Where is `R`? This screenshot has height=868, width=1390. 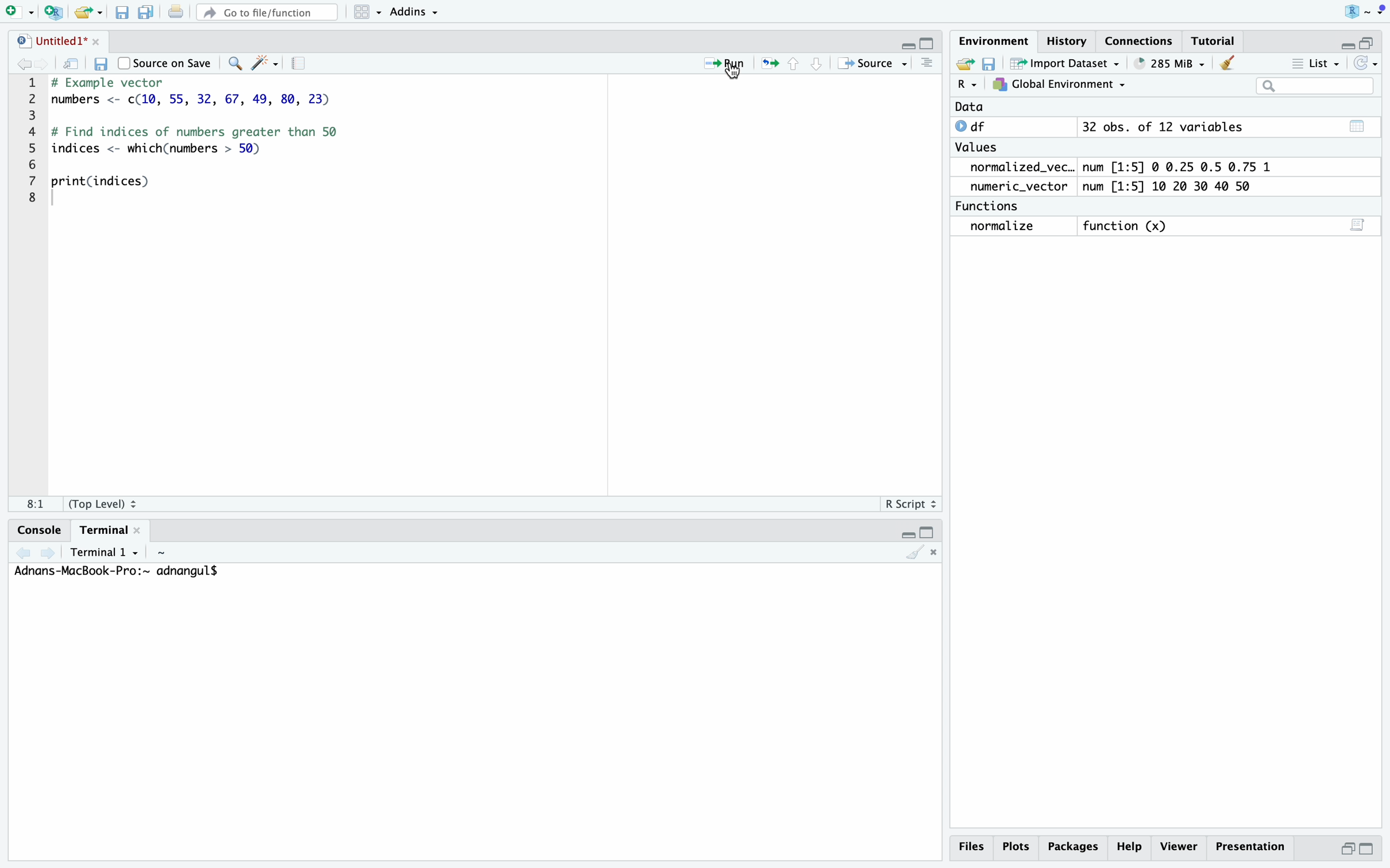
R is located at coordinates (966, 86).